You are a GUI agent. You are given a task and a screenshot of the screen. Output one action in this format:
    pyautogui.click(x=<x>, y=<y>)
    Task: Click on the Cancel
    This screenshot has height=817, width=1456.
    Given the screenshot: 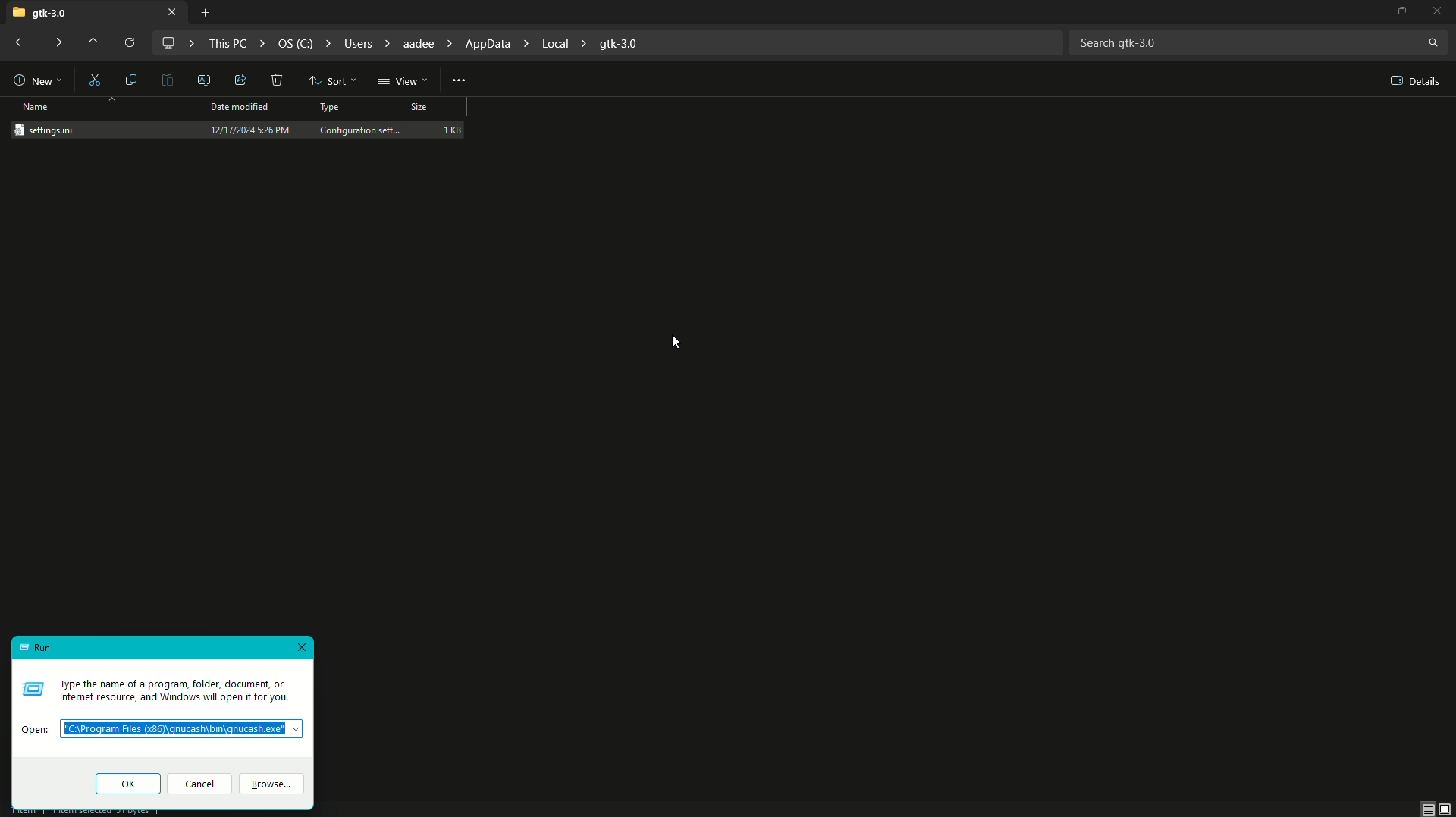 What is the action you would take?
    pyautogui.click(x=199, y=785)
    